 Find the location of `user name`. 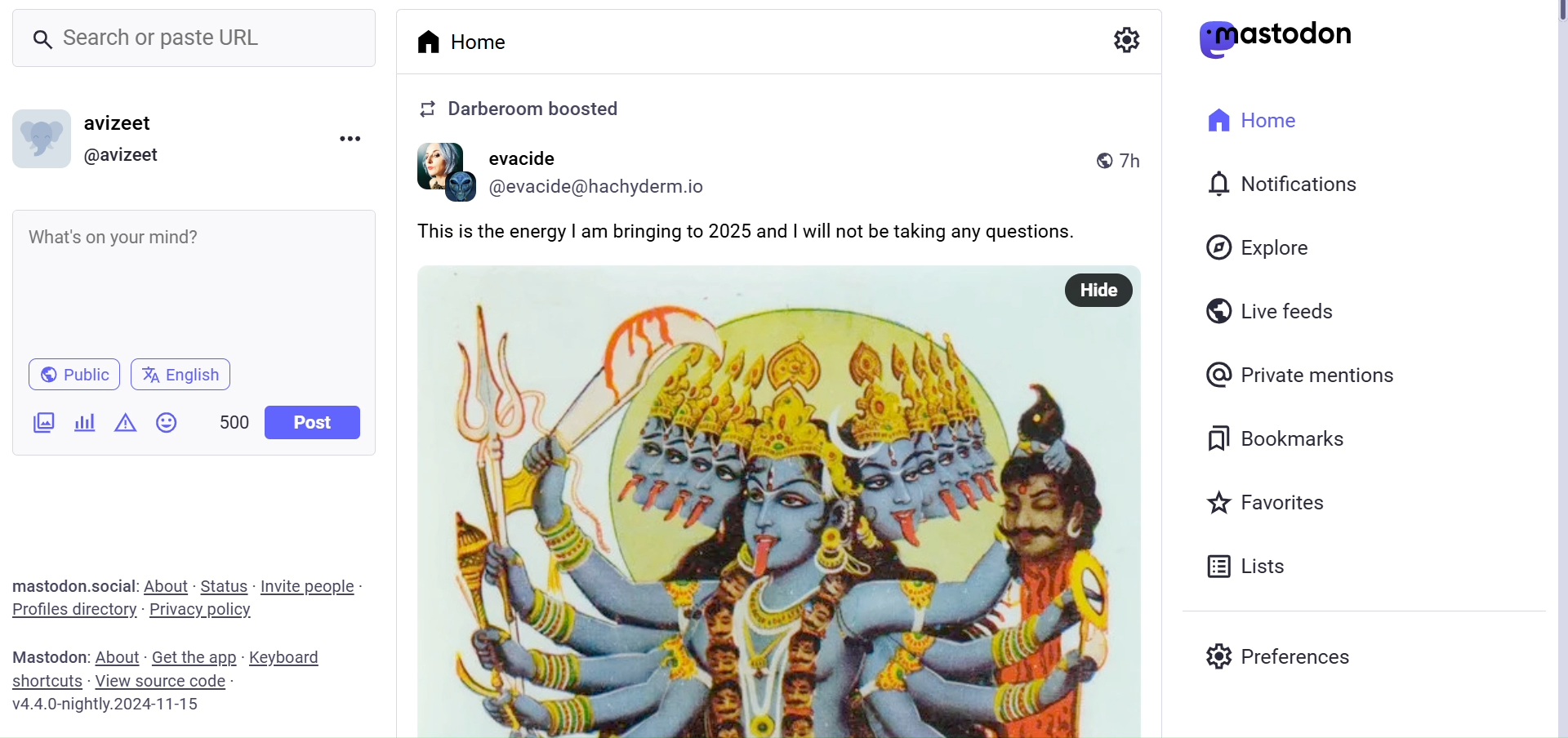

user name is located at coordinates (529, 158).